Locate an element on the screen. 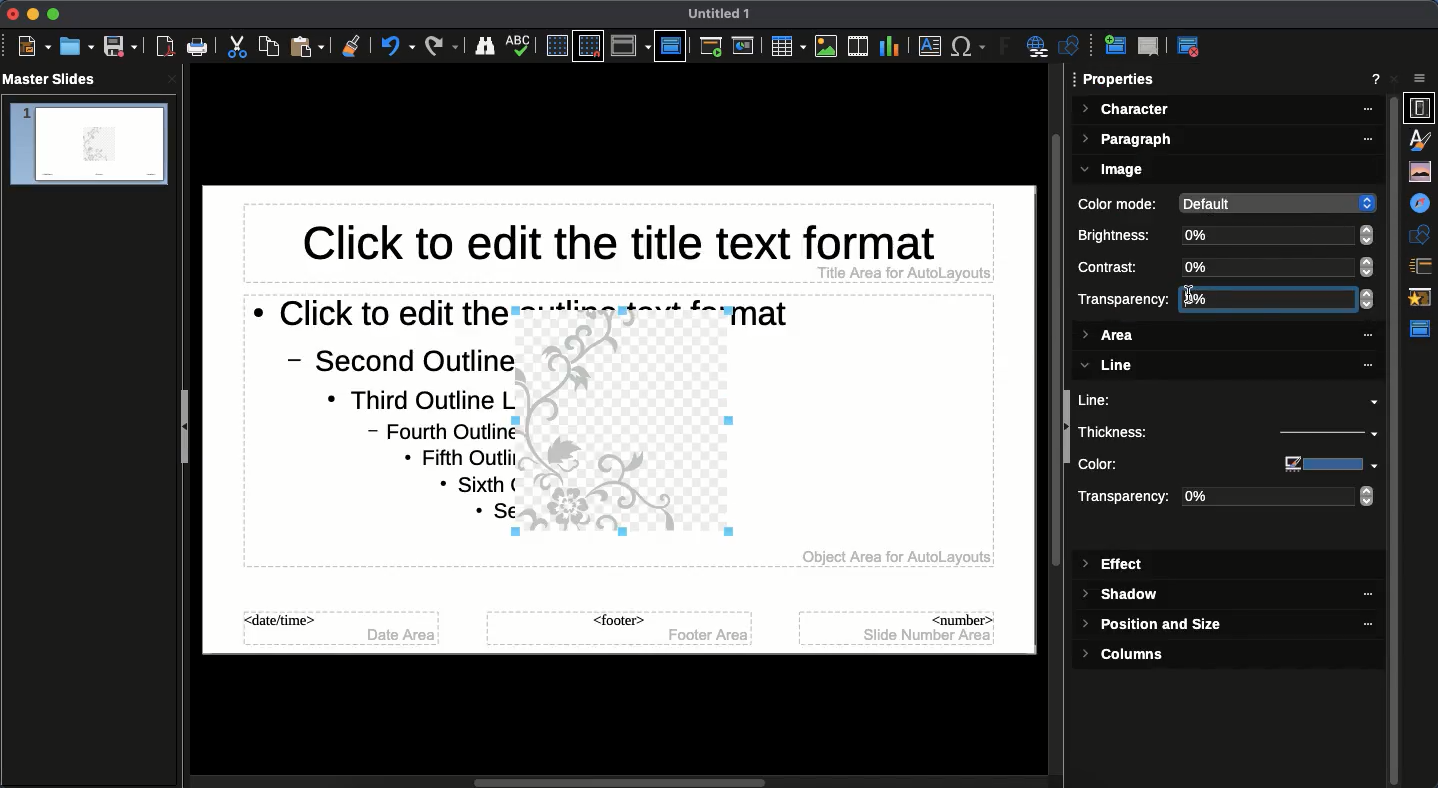 Image resolution: width=1438 pixels, height=788 pixels. Delete master is located at coordinates (1149, 46).